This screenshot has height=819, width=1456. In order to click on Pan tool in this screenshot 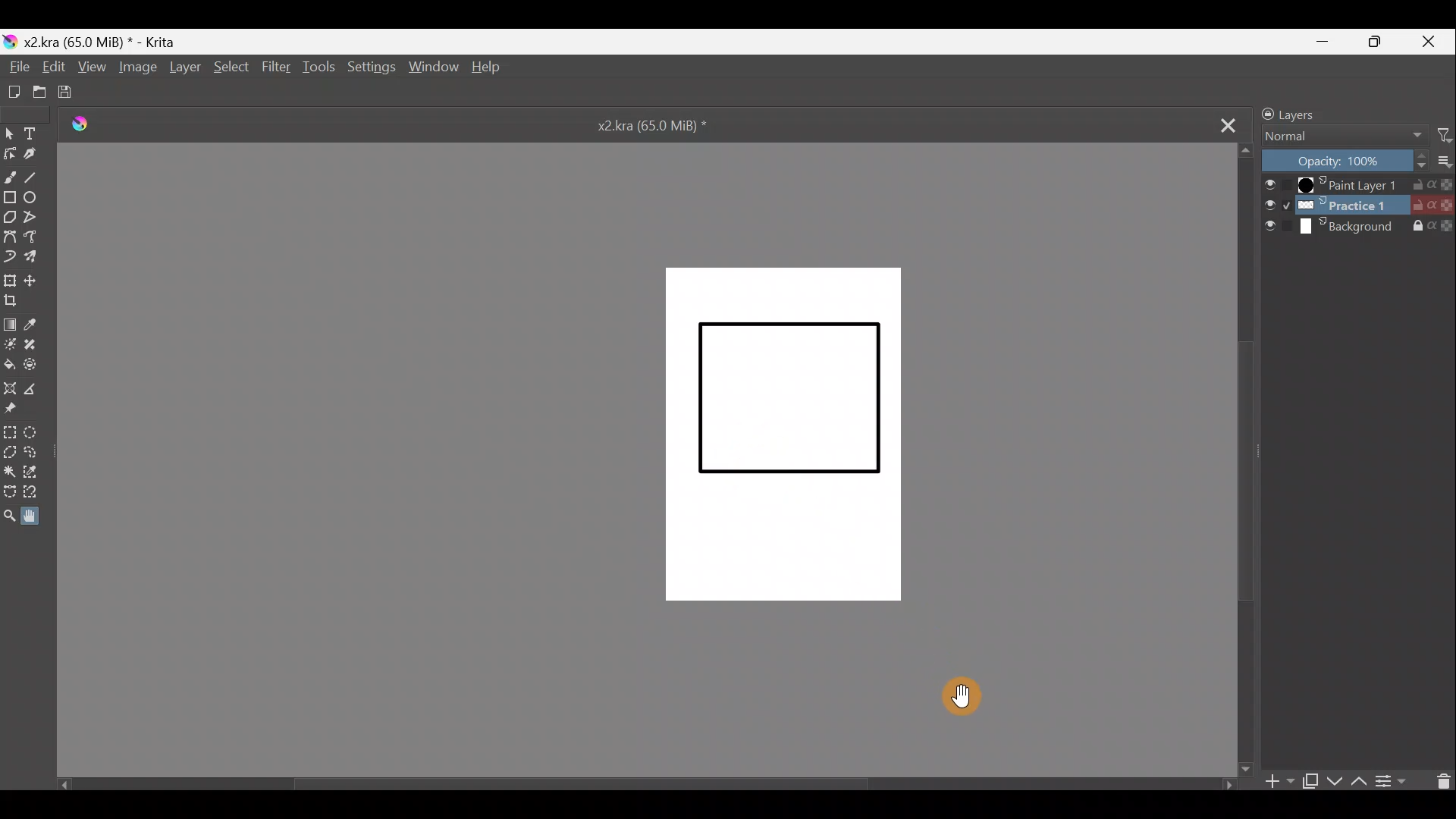, I will do `click(39, 514)`.